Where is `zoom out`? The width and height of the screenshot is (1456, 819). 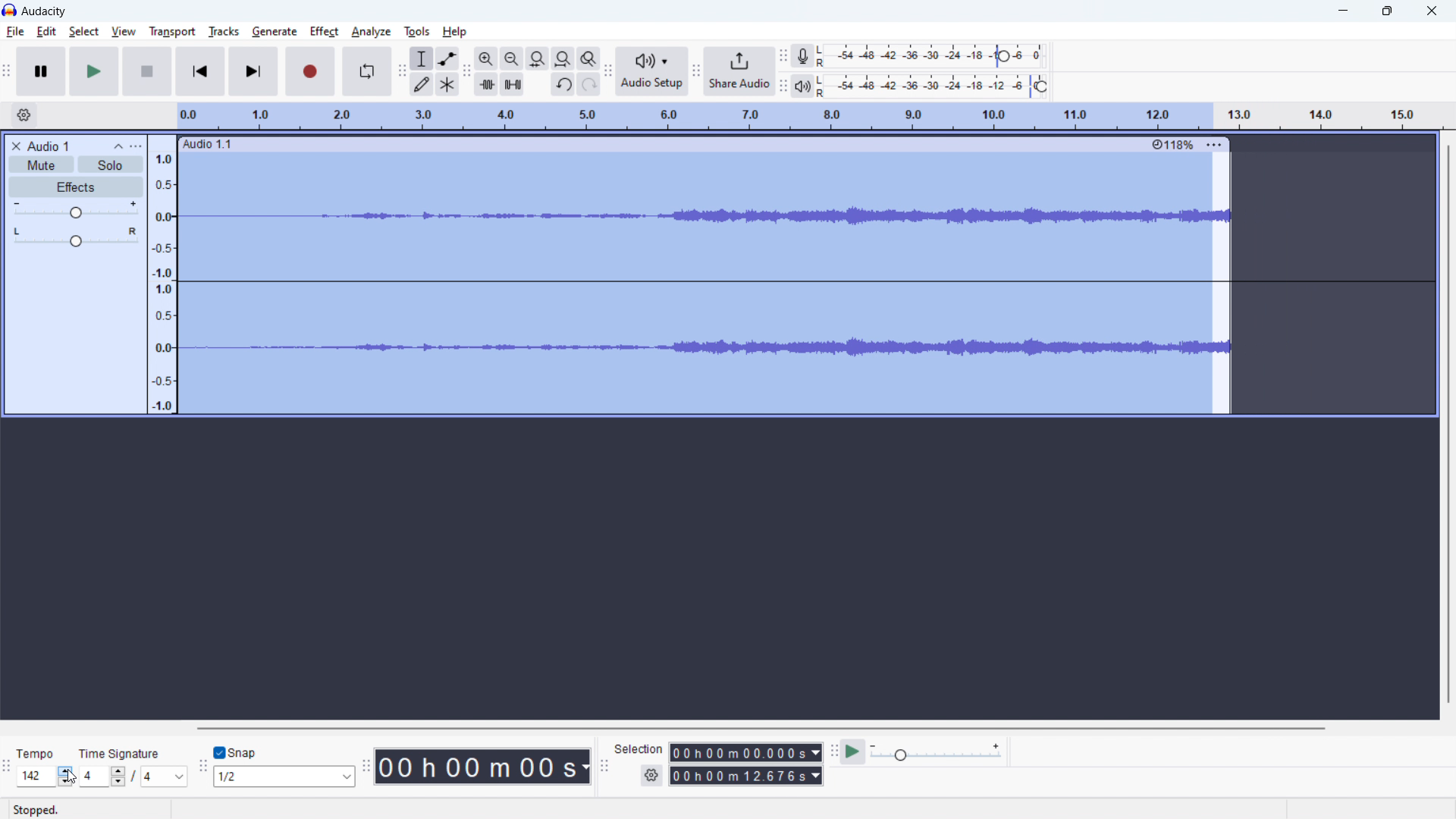 zoom out is located at coordinates (512, 59).